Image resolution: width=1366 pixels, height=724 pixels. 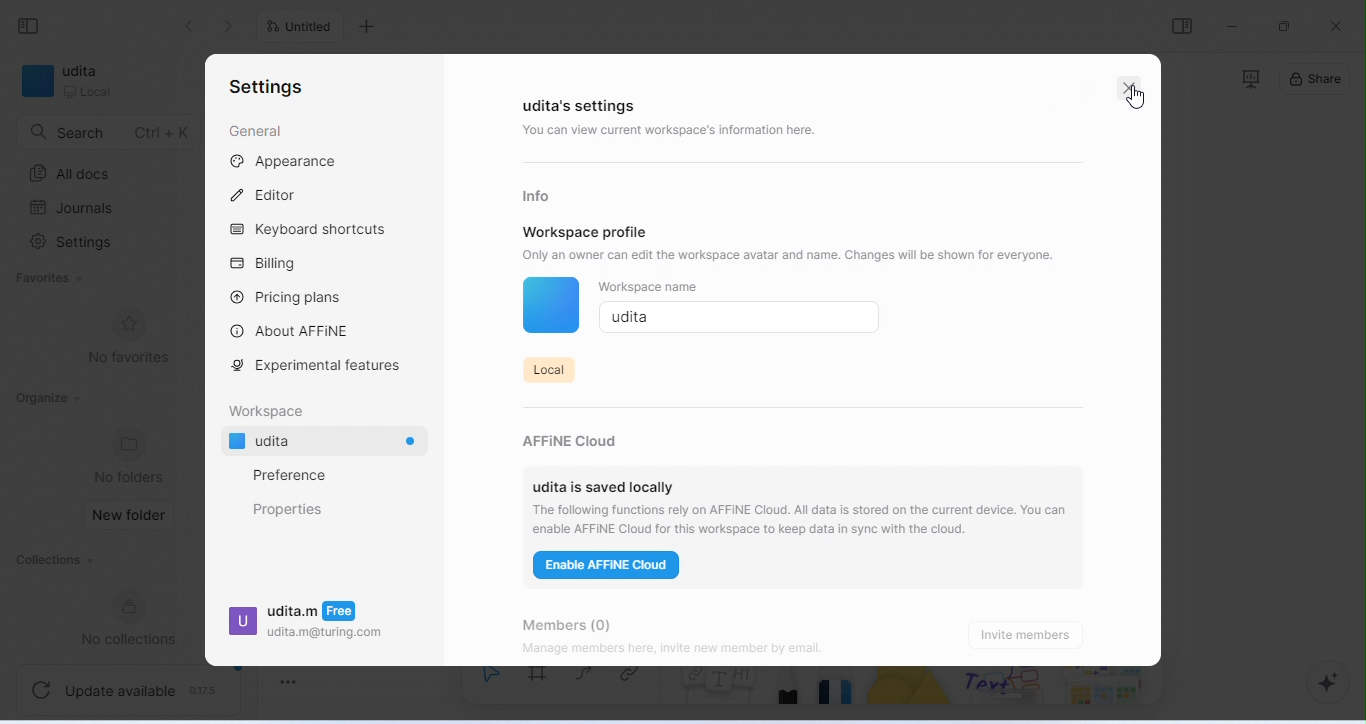 I want to click on search, so click(x=109, y=132).